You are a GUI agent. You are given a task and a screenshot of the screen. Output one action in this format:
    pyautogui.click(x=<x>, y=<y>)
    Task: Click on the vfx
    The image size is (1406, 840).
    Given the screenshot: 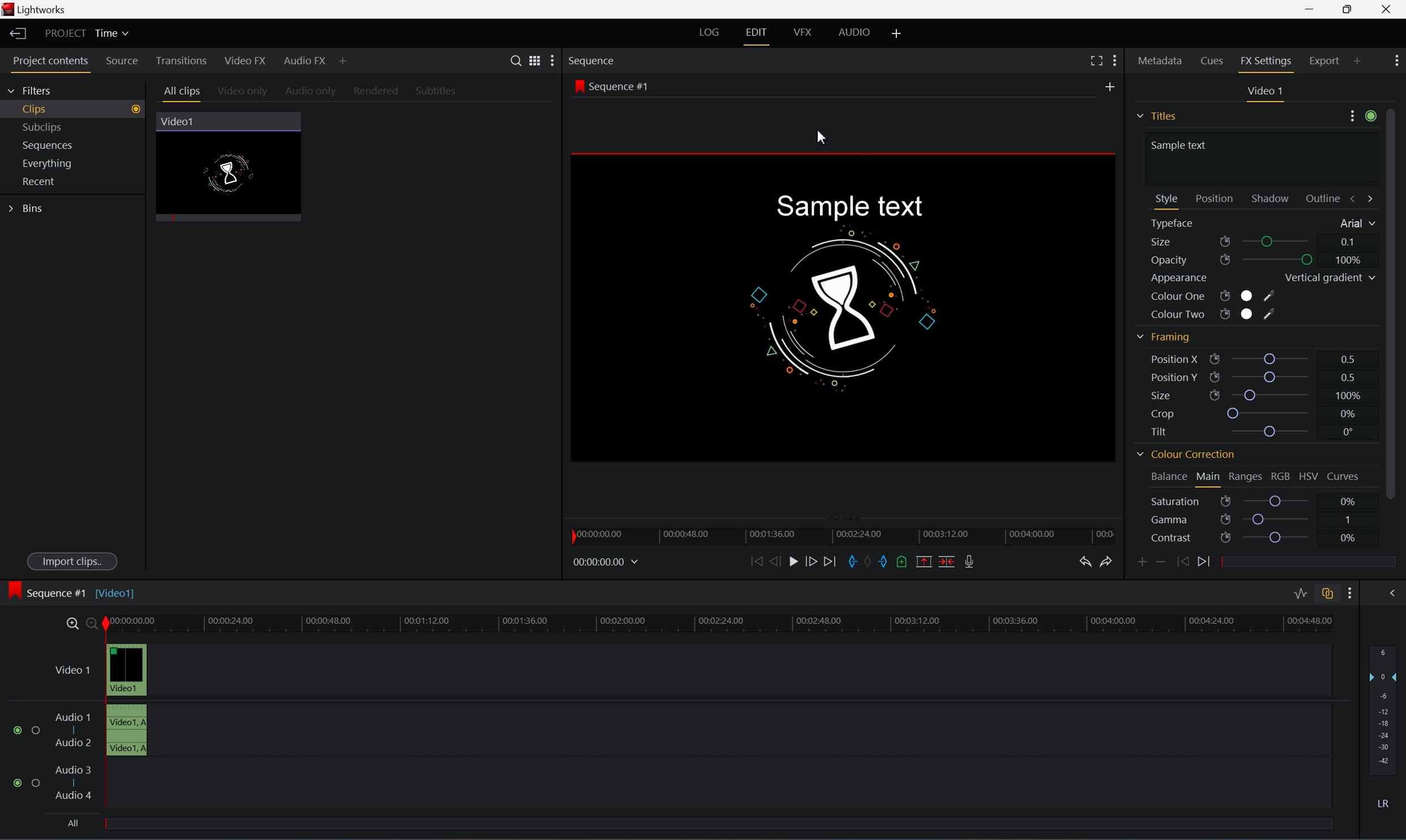 What is the action you would take?
    pyautogui.click(x=802, y=32)
    